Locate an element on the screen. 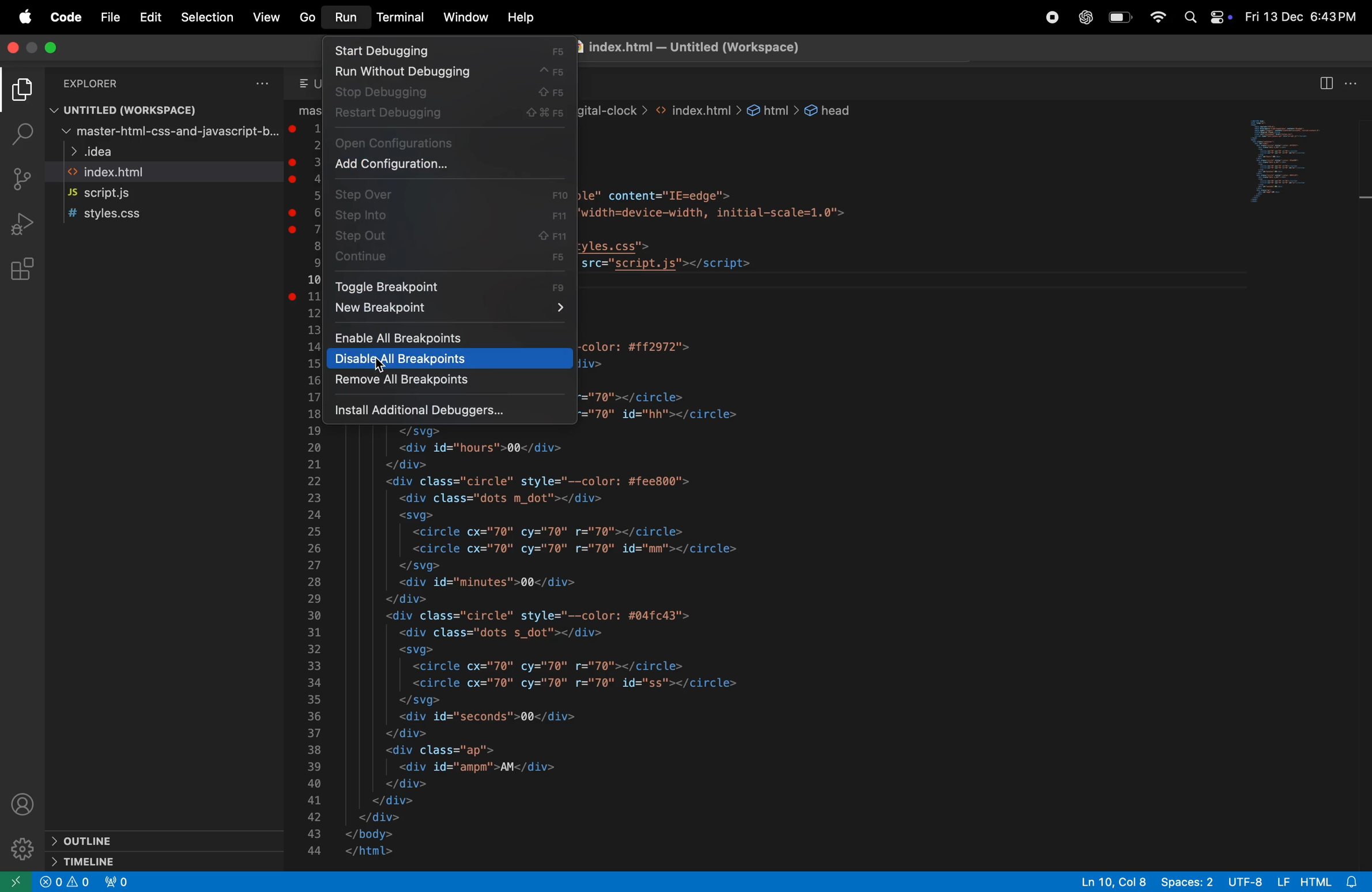 The height and width of the screenshot is (892, 1372). UTF 8 is located at coordinates (1248, 881).